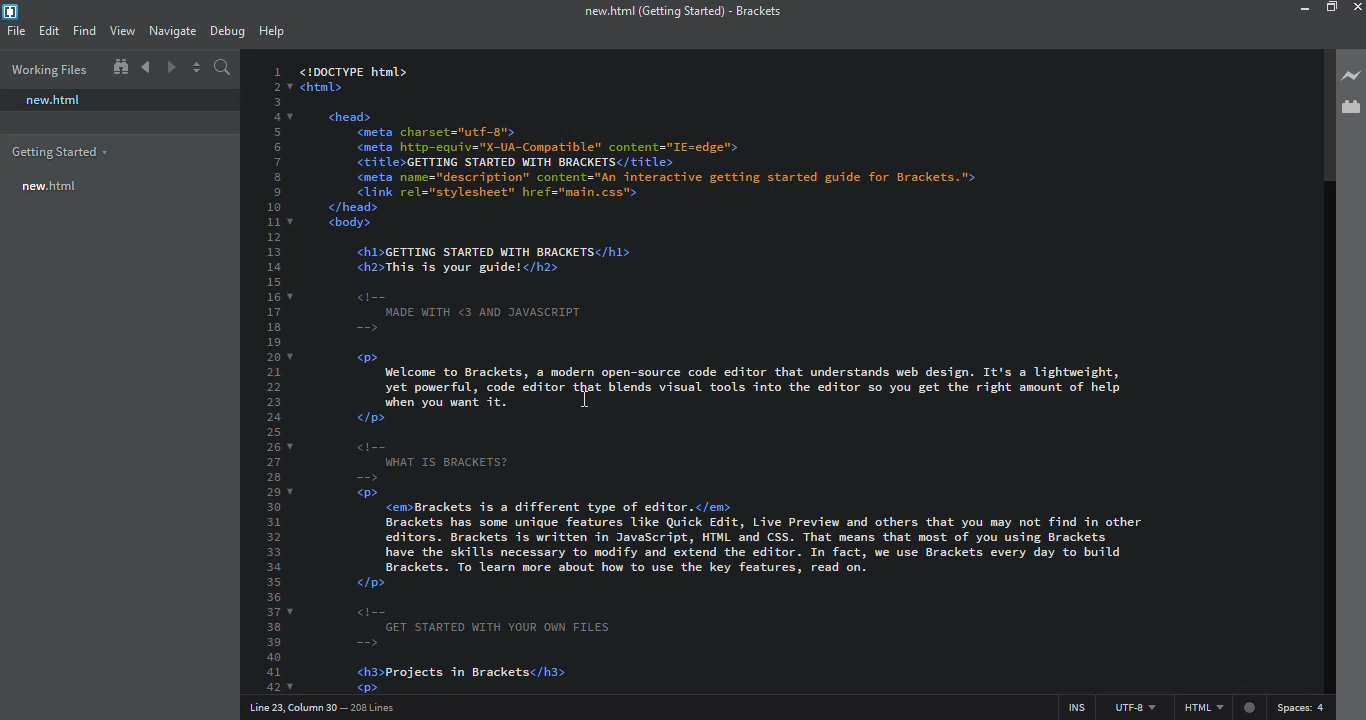 Image resolution: width=1366 pixels, height=720 pixels. I want to click on html, so click(1214, 708).